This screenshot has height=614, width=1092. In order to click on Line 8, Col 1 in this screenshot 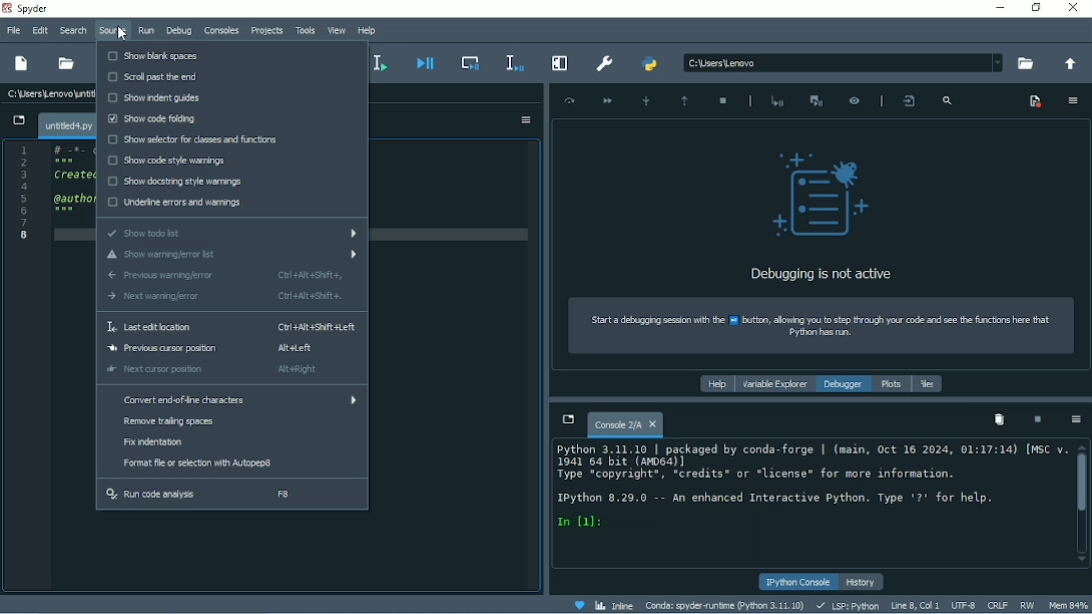, I will do `click(915, 604)`.